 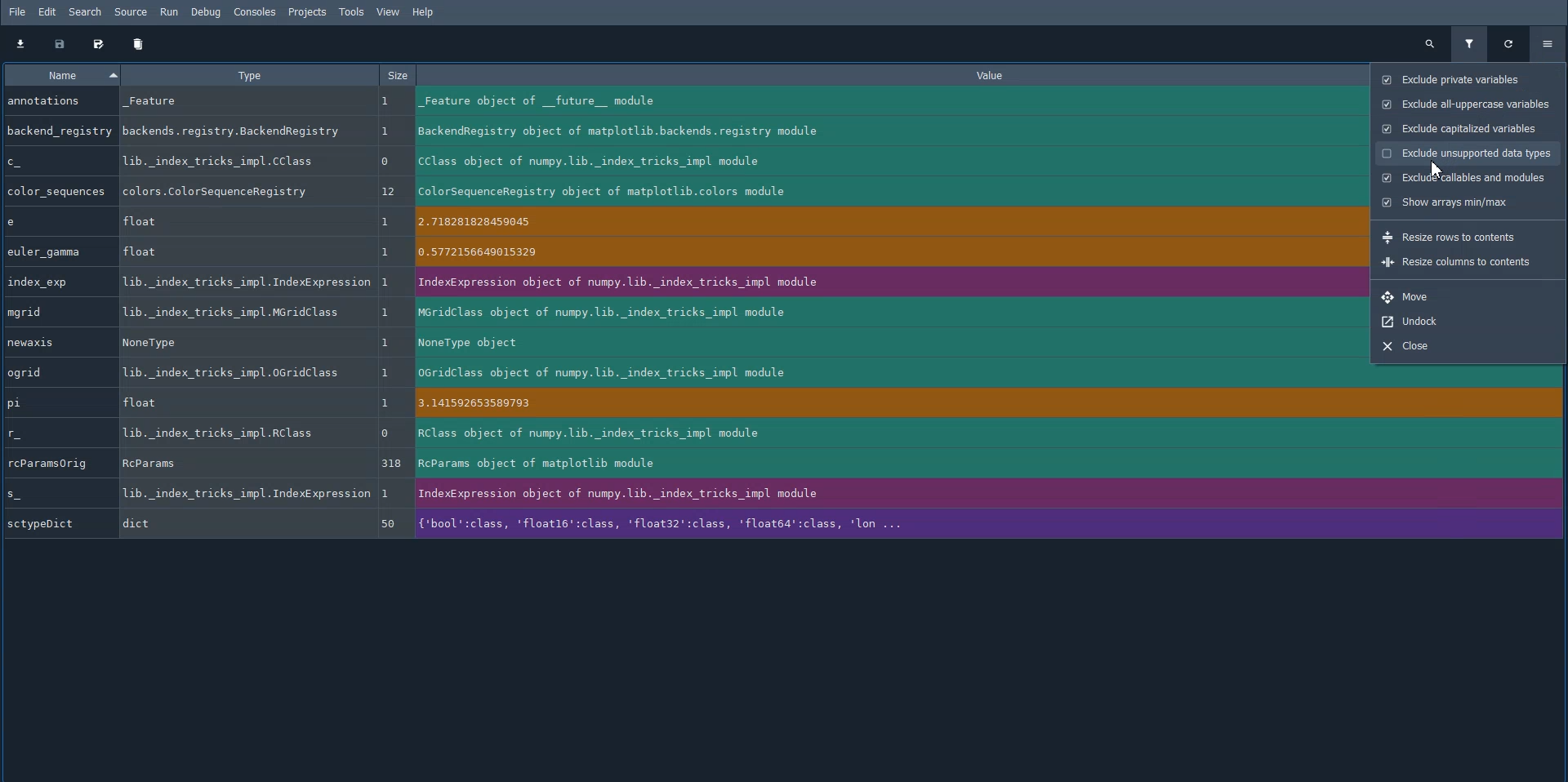 What do you see at coordinates (885, 406) in the screenshot?
I see `3.141592653589793` at bounding box center [885, 406].